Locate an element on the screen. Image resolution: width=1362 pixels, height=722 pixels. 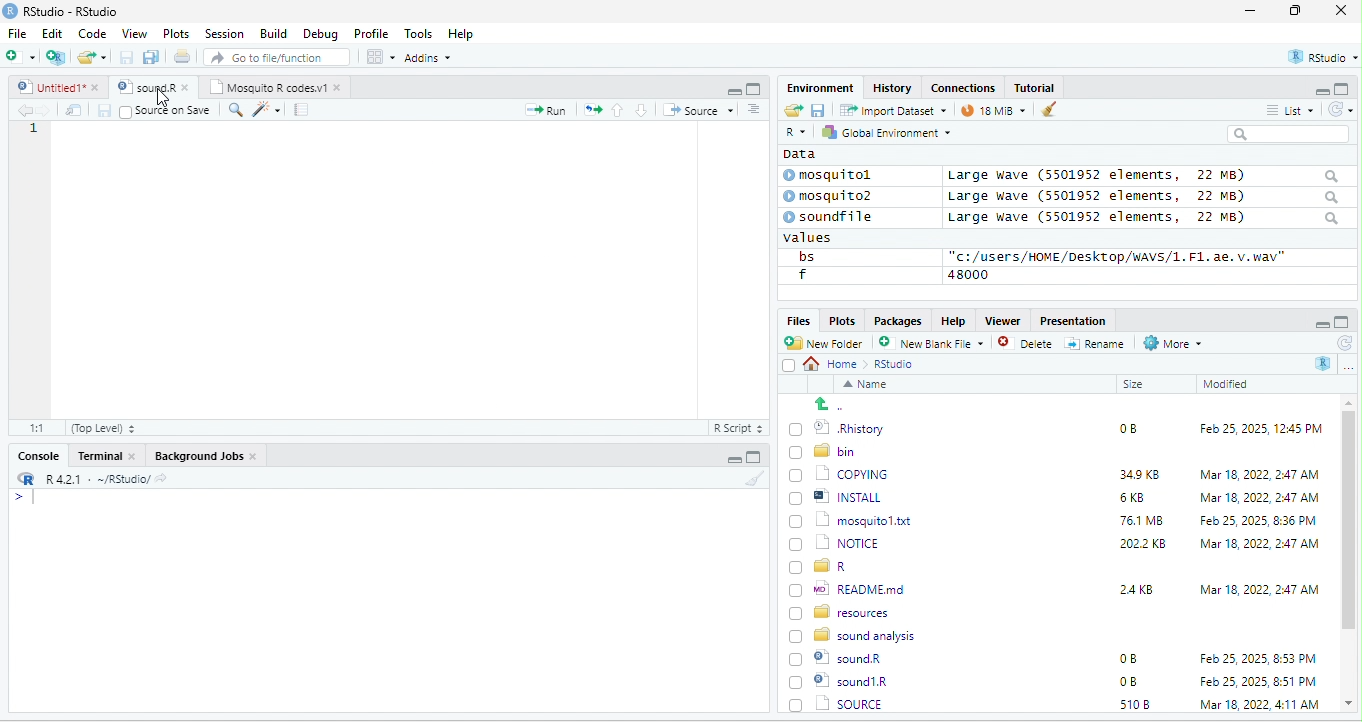
’ New blank File is located at coordinates (937, 346).